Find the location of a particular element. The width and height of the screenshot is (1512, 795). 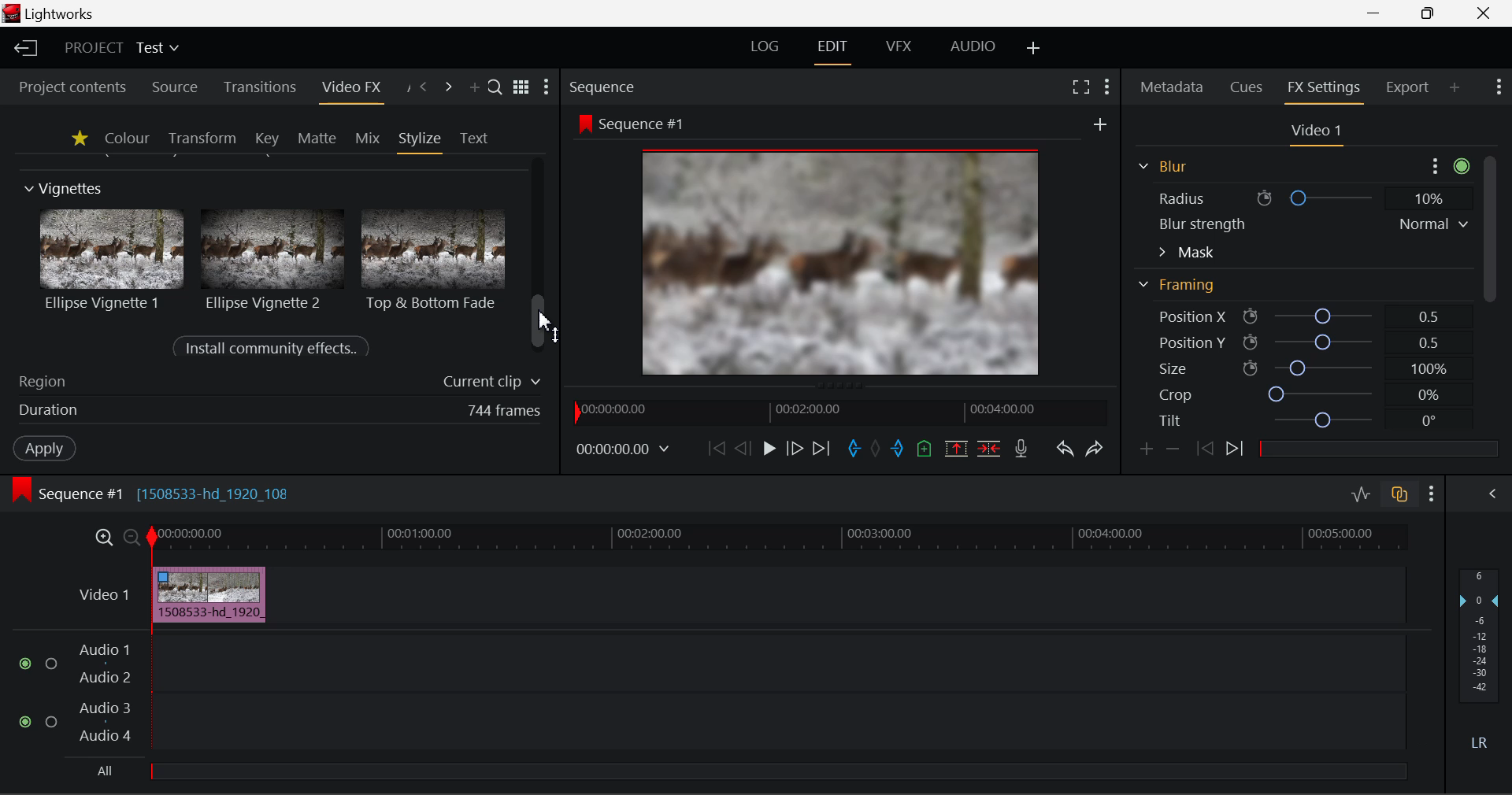

Video 1 Settings is located at coordinates (1317, 132).